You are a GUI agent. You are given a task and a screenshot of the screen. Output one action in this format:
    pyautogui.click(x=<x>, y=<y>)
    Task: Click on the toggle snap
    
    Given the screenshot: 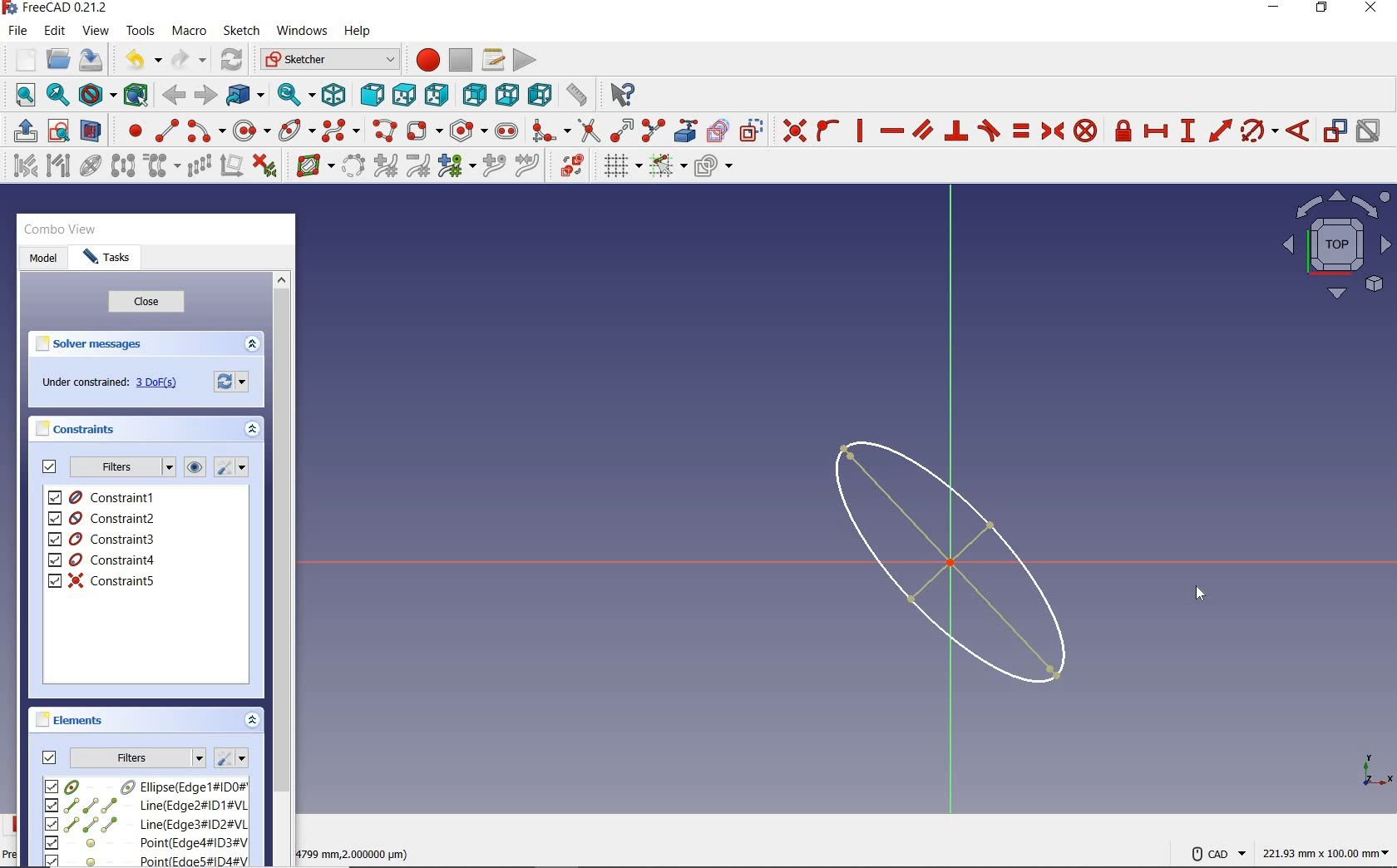 What is the action you would take?
    pyautogui.click(x=667, y=165)
    